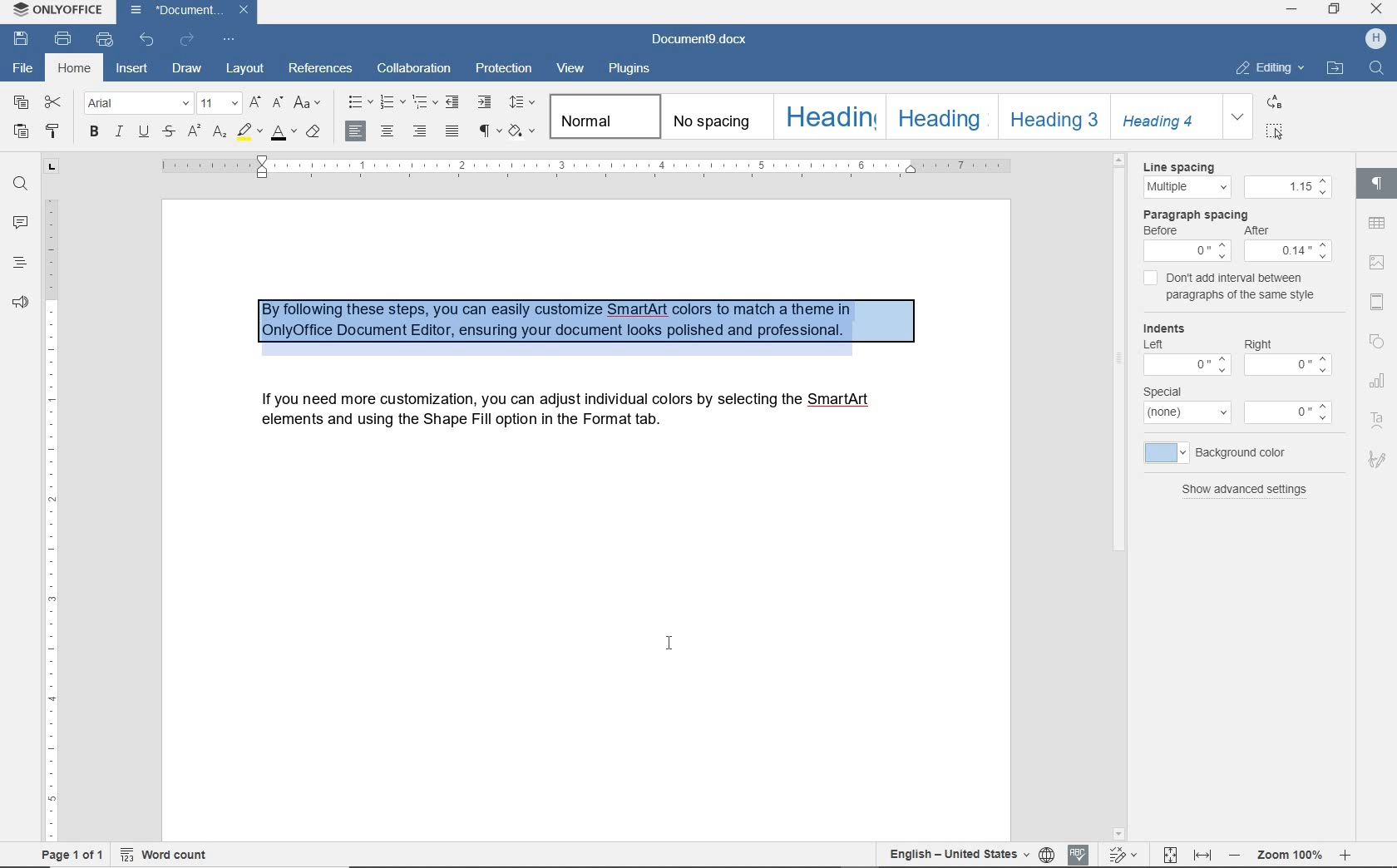  What do you see at coordinates (1378, 261) in the screenshot?
I see `image` at bounding box center [1378, 261].